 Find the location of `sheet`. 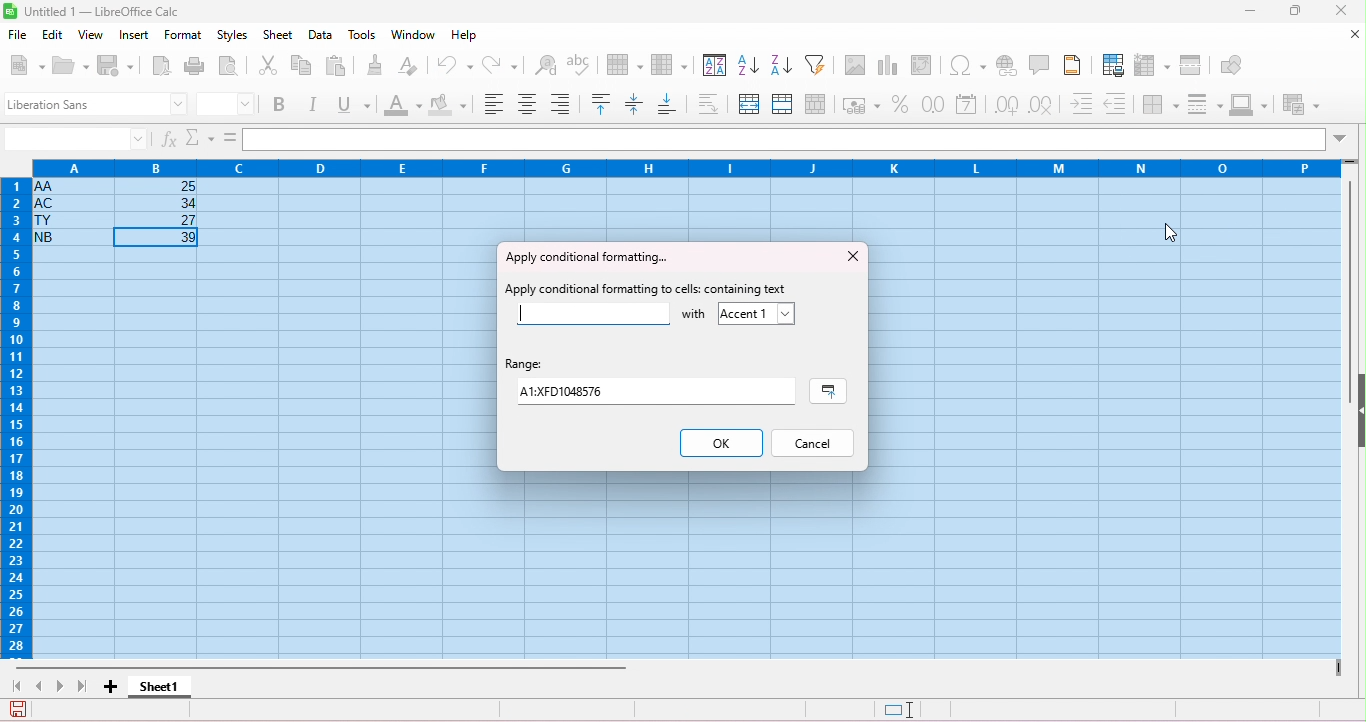

sheet is located at coordinates (280, 36).